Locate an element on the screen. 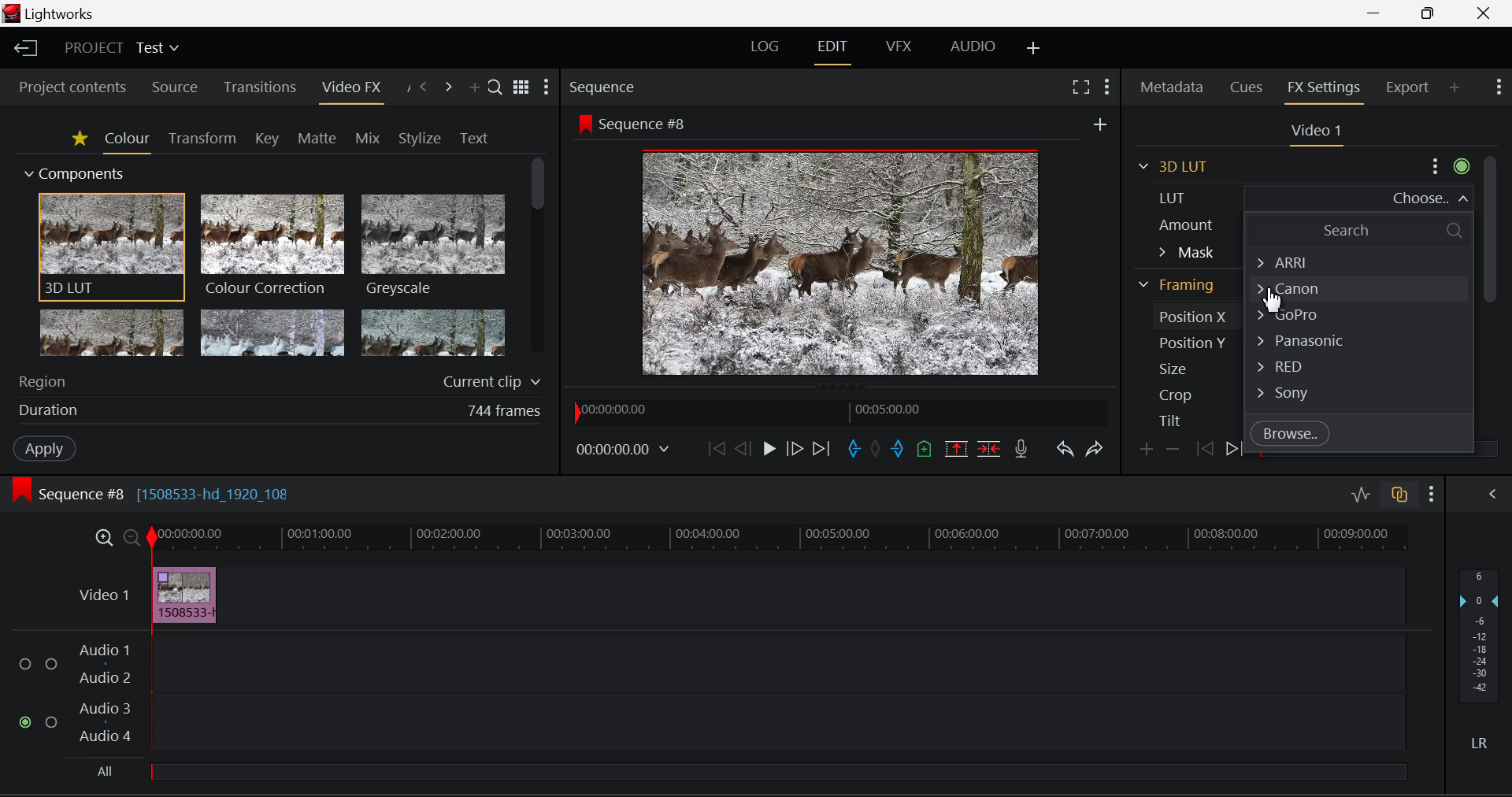 Image resolution: width=1512 pixels, height=797 pixels. Project Timeline is located at coordinates (780, 539).